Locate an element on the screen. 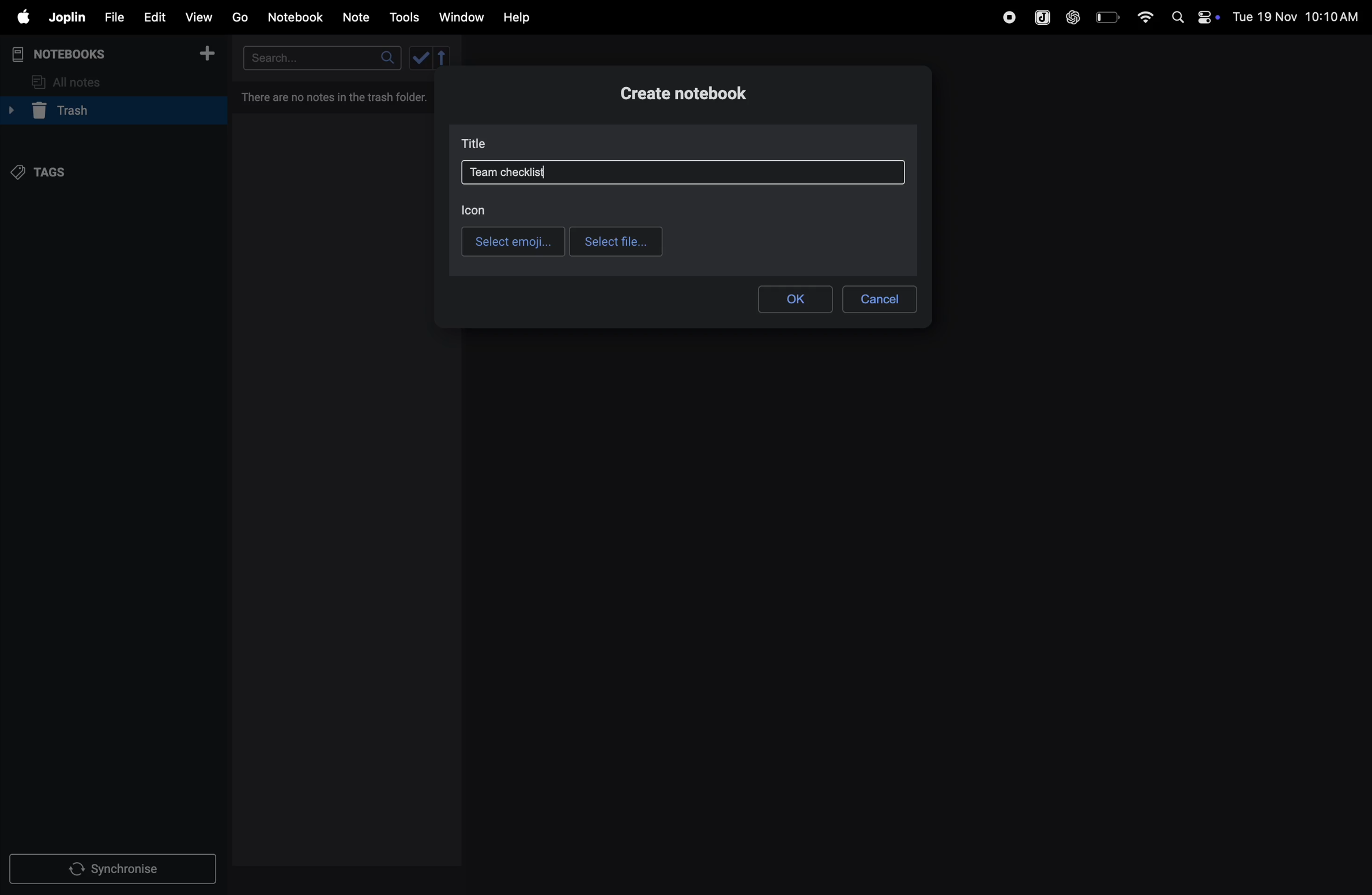 The image size is (1372, 895). wifi is located at coordinates (1143, 16).